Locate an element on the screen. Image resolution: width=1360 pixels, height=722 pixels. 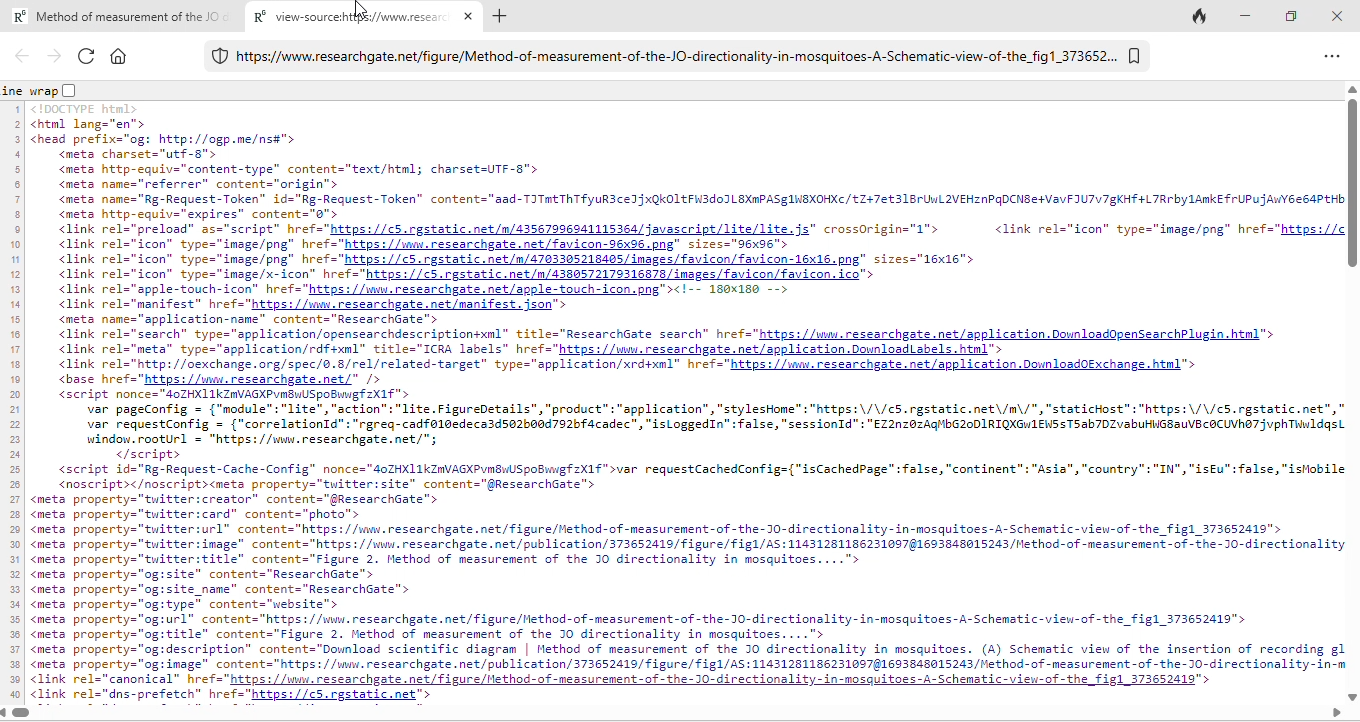
option is located at coordinates (1335, 57).